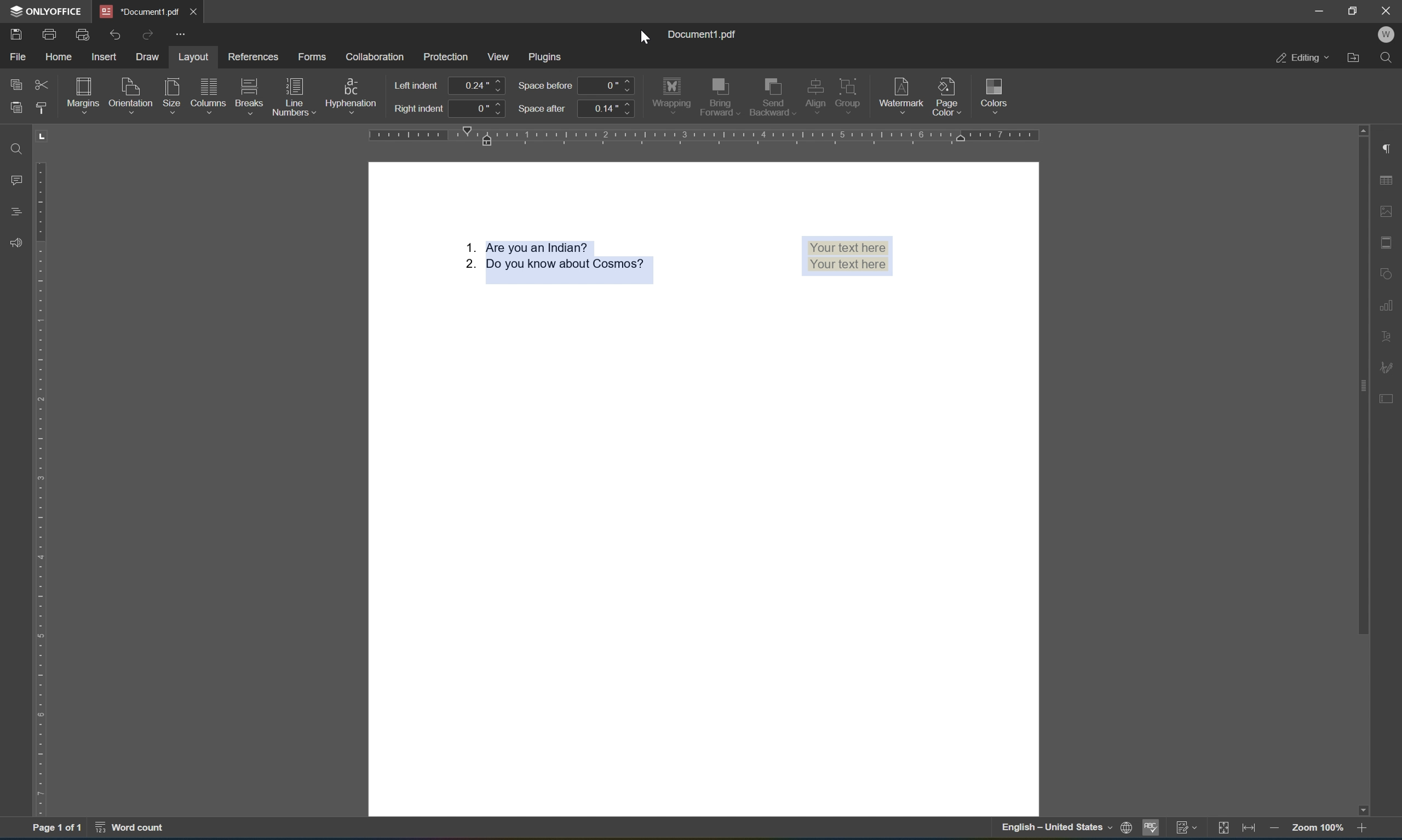 The width and height of the screenshot is (1402, 840). I want to click on find, so click(19, 148).